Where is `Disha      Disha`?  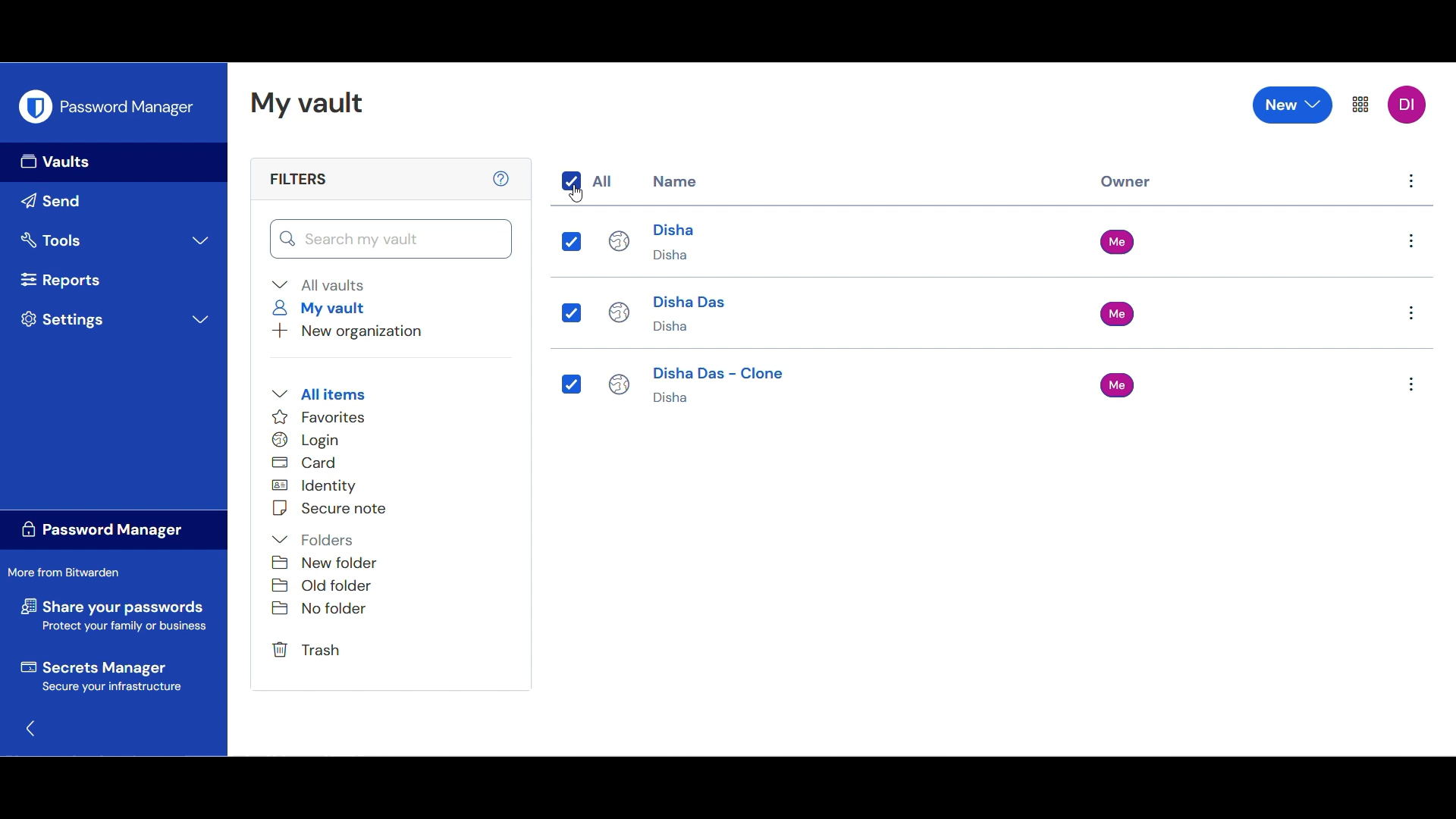 Disha      Disha is located at coordinates (654, 240).